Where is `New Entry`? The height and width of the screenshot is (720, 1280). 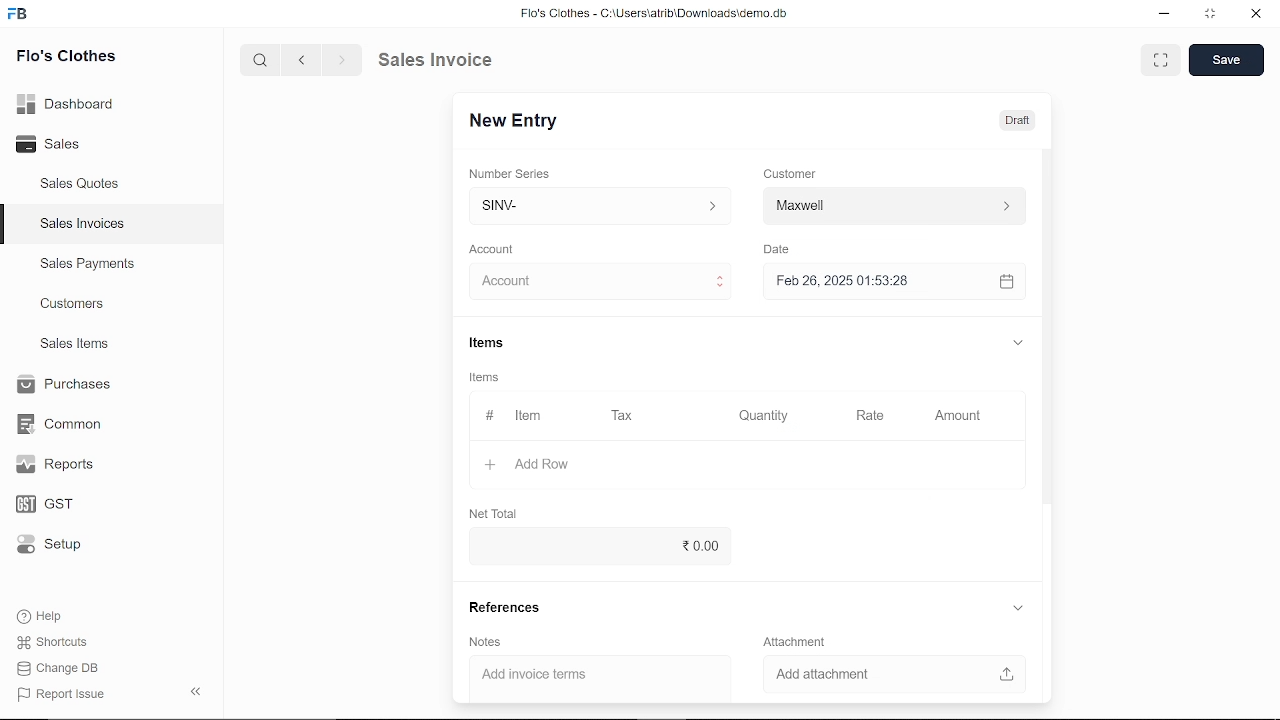 New Entry is located at coordinates (521, 121).